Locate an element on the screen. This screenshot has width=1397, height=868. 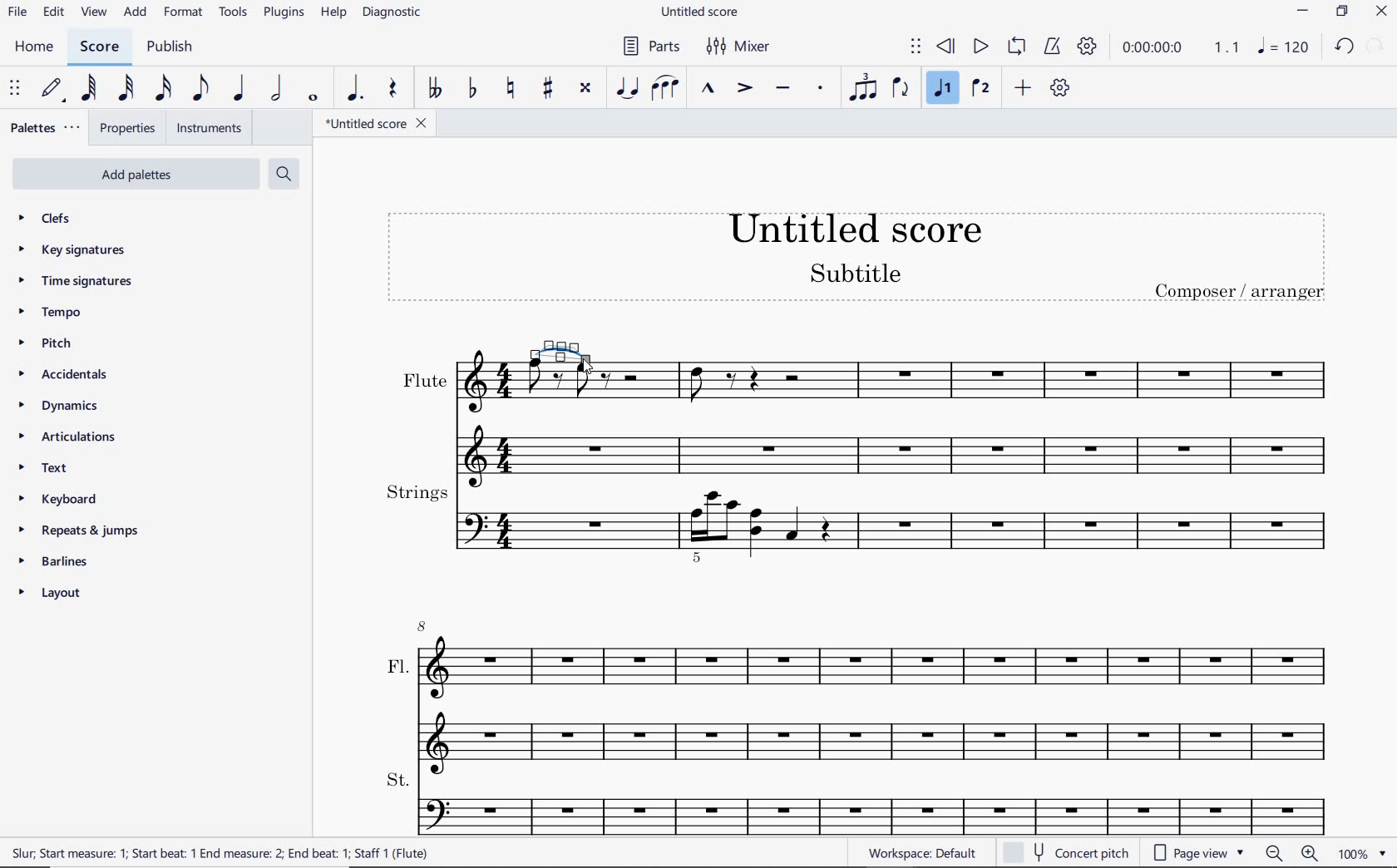
PLAYBACK SETTINGS is located at coordinates (1090, 48).